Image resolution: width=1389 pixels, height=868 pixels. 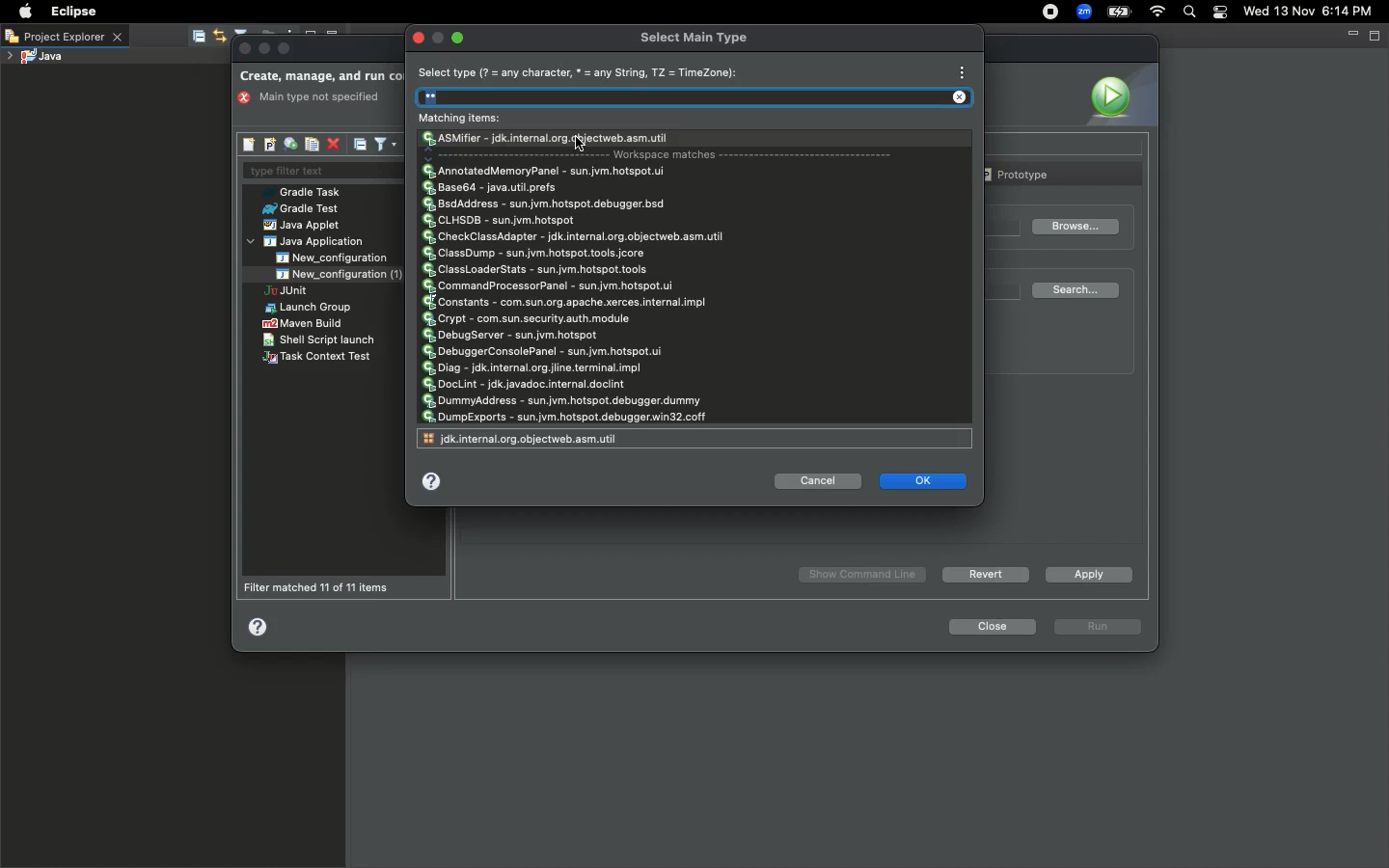 What do you see at coordinates (1156, 14) in the screenshot?
I see `Internet` at bounding box center [1156, 14].